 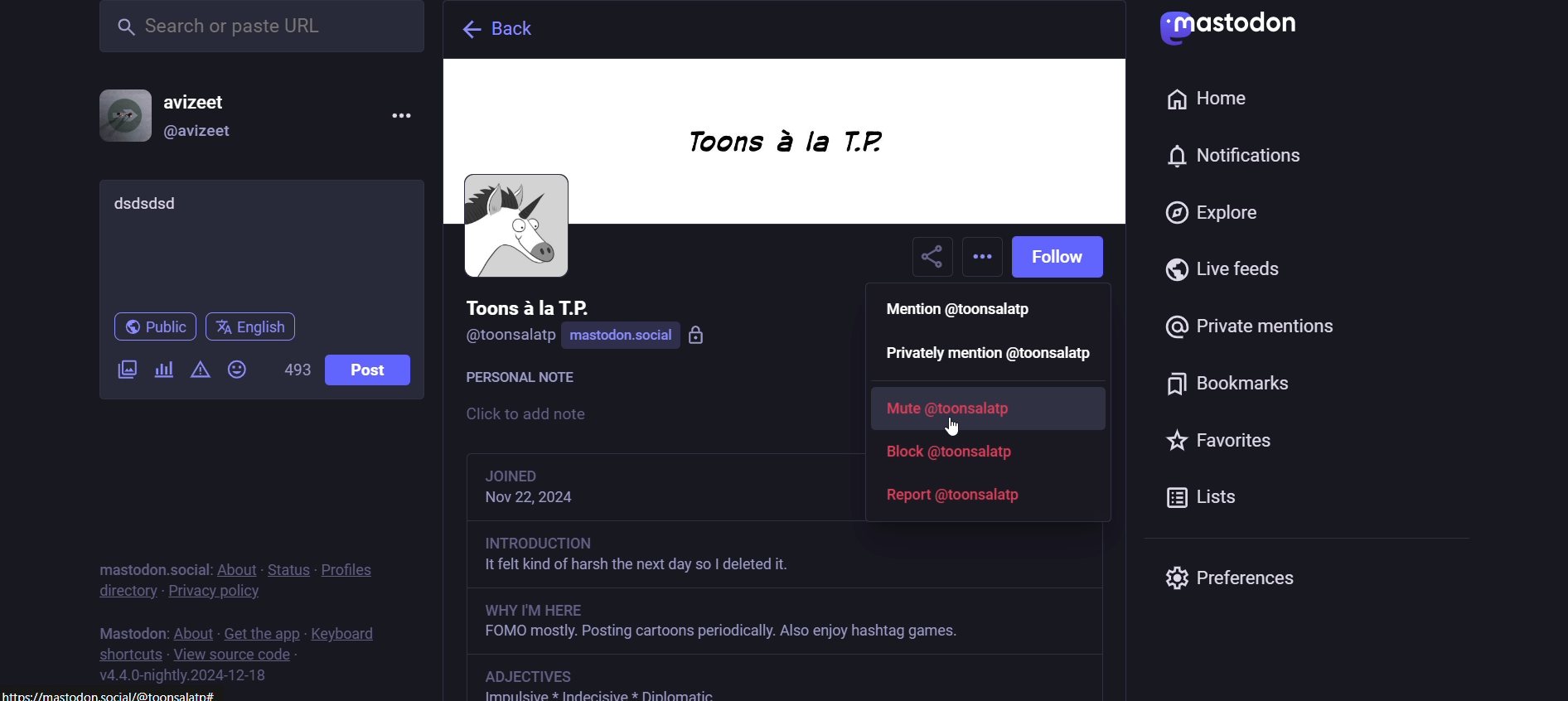 What do you see at coordinates (365, 370) in the screenshot?
I see `post` at bounding box center [365, 370].